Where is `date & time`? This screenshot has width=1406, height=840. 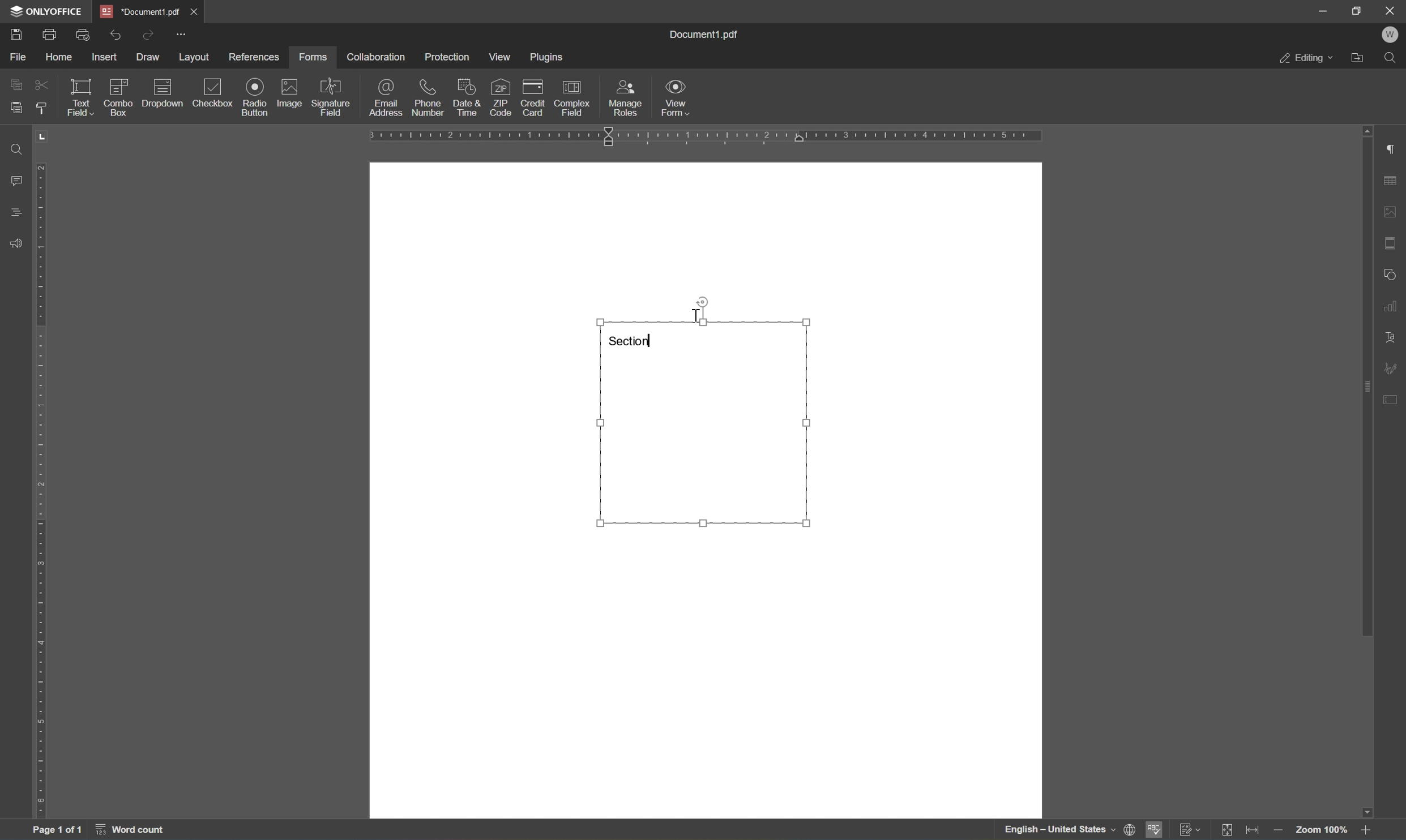 date & time is located at coordinates (466, 96).